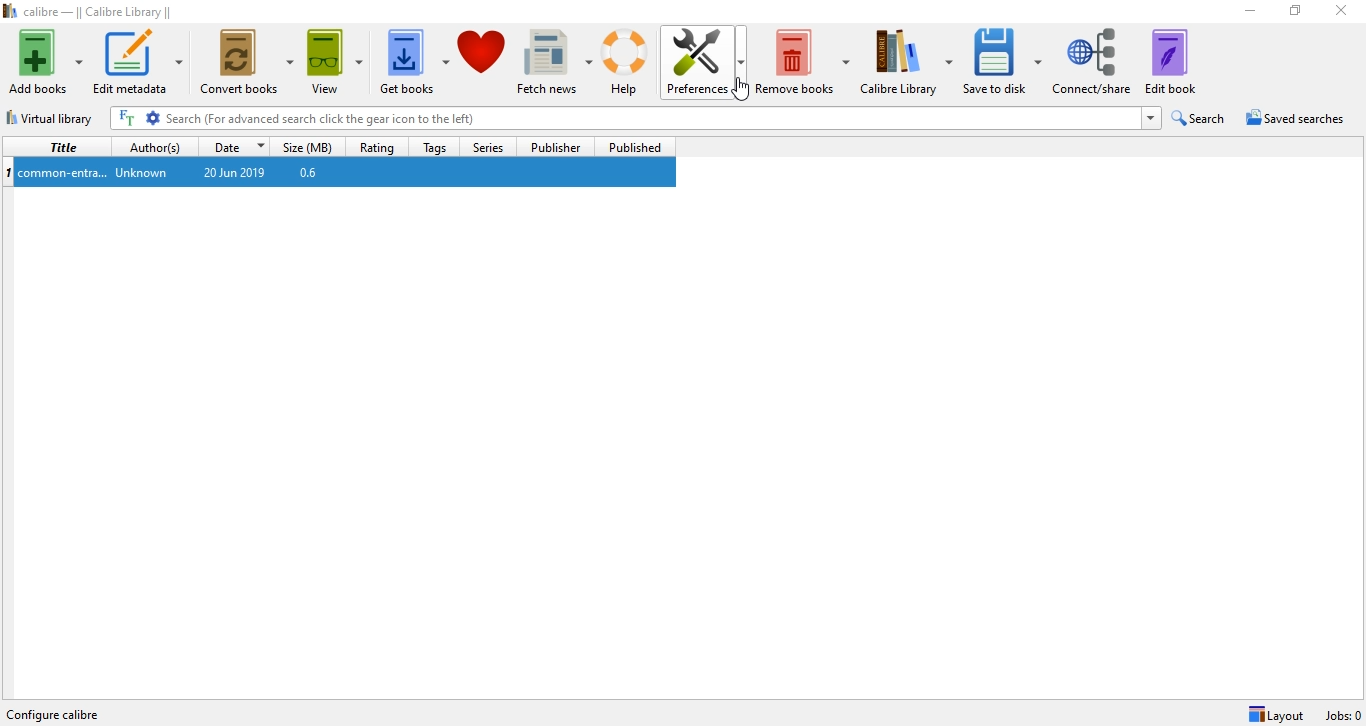 The image size is (1366, 726). I want to click on Title, so click(60, 147).